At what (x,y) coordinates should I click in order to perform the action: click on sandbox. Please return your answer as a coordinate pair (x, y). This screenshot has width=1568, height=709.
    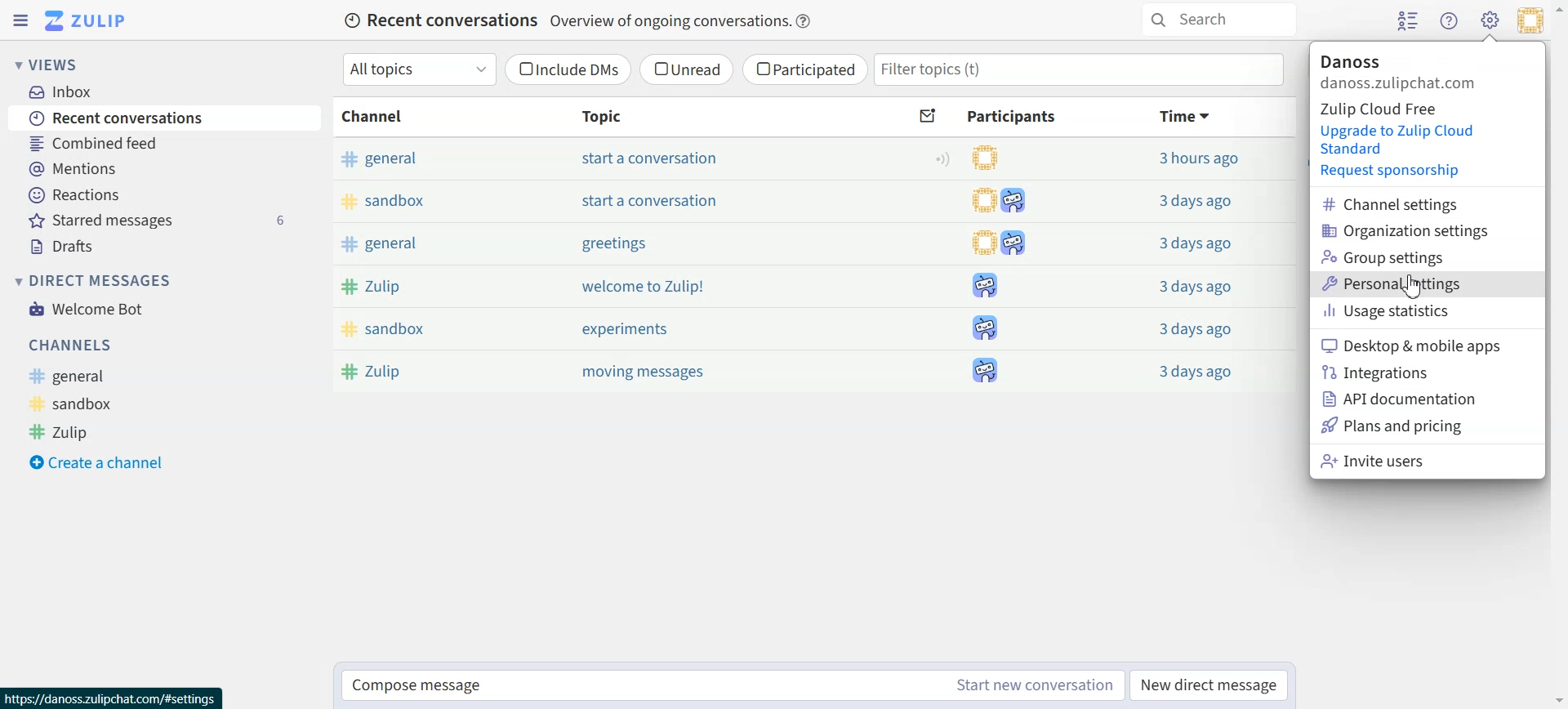
    Looking at the image, I should click on (389, 203).